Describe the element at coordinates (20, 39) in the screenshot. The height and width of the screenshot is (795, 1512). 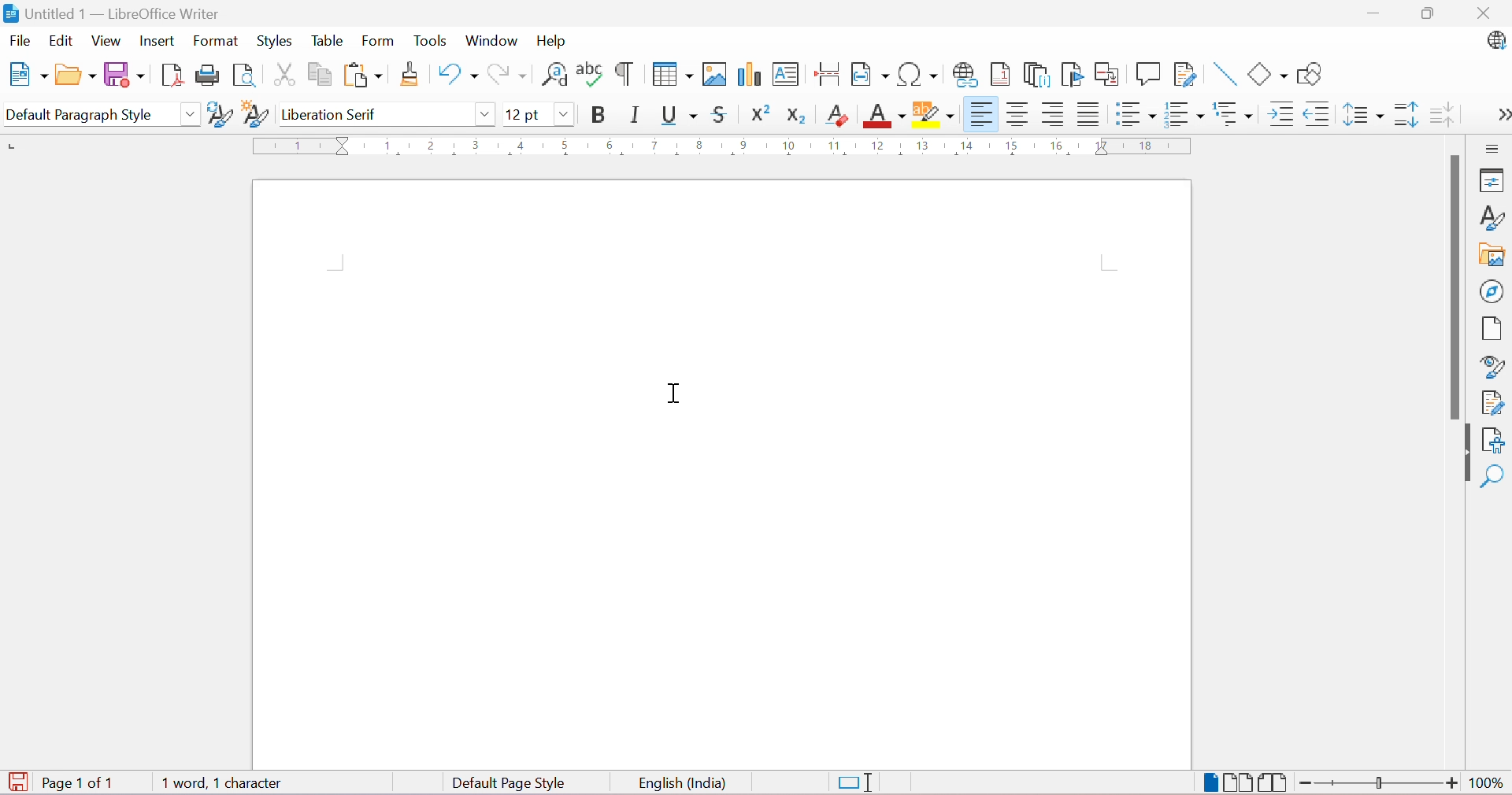
I see `File` at that location.